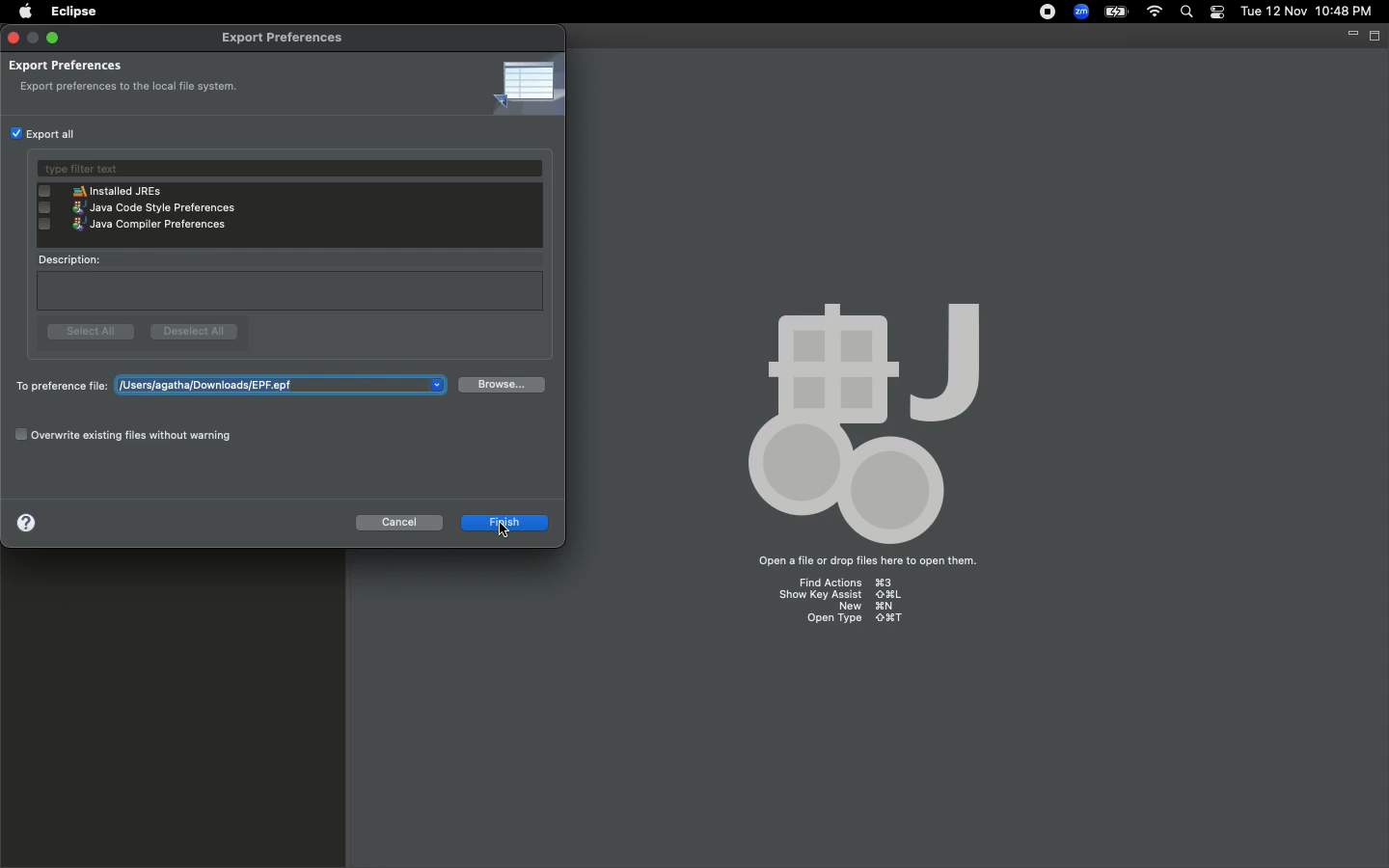 The width and height of the screenshot is (1389, 868). What do you see at coordinates (503, 387) in the screenshot?
I see `Browse` at bounding box center [503, 387].